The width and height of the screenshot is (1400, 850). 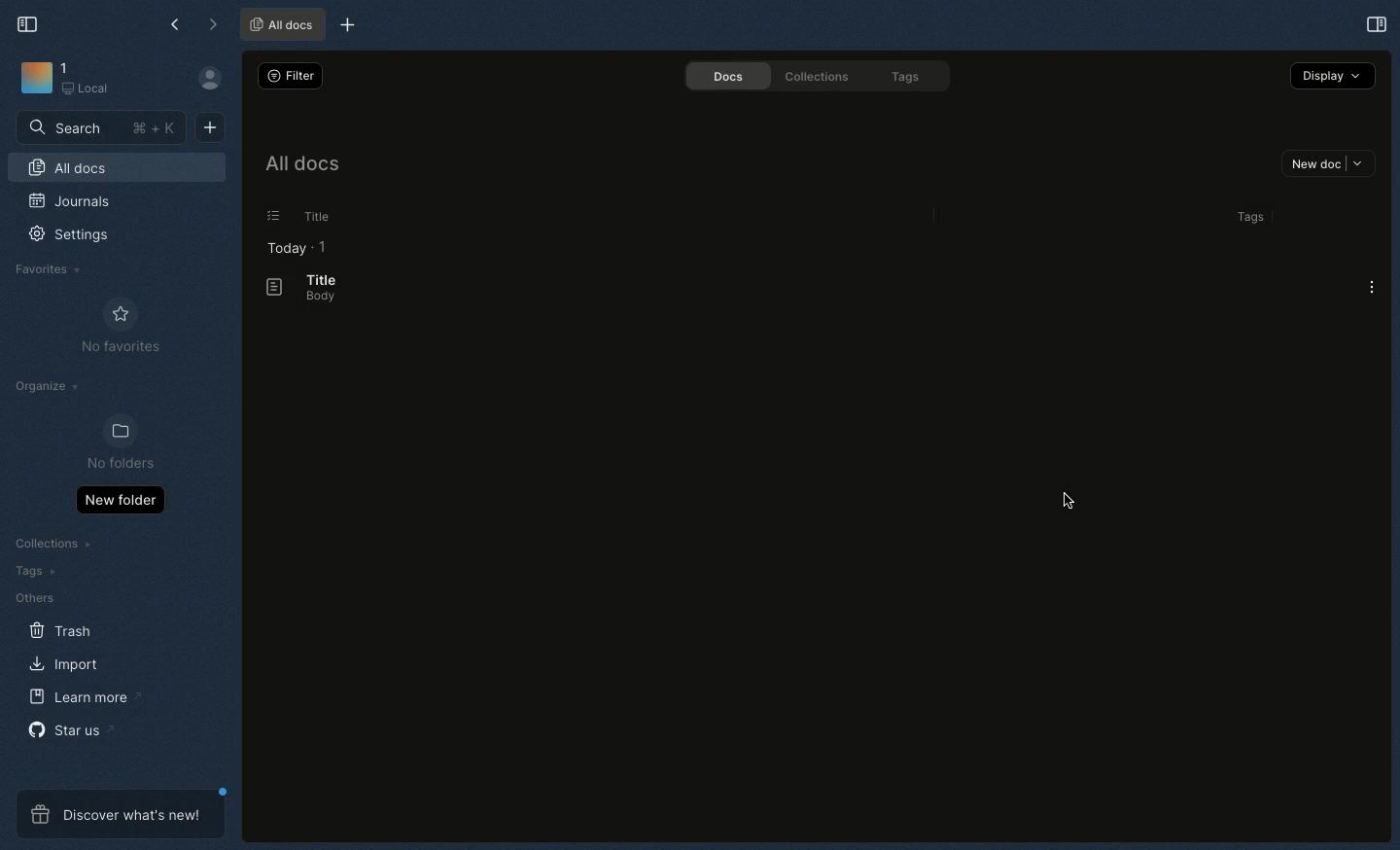 I want to click on All docs, so click(x=300, y=167).